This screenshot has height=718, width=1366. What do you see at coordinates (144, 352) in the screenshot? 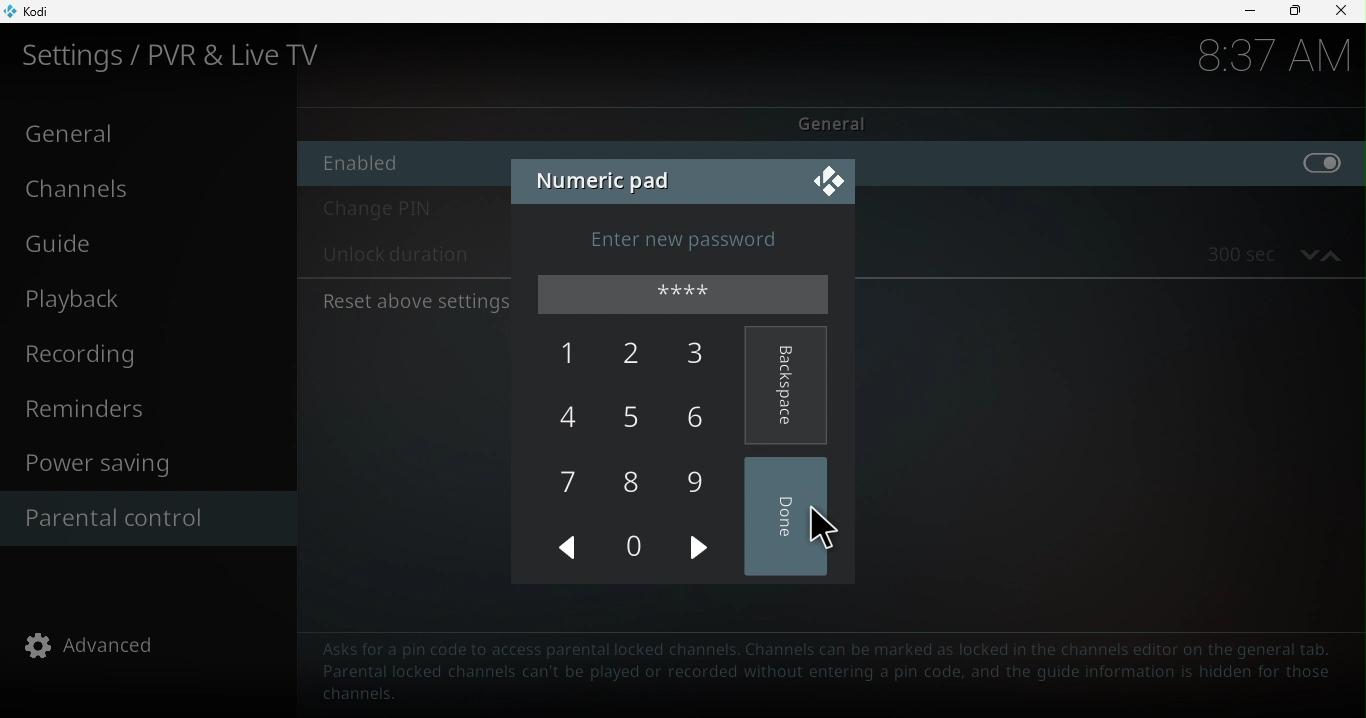
I see `Recording` at bounding box center [144, 352].